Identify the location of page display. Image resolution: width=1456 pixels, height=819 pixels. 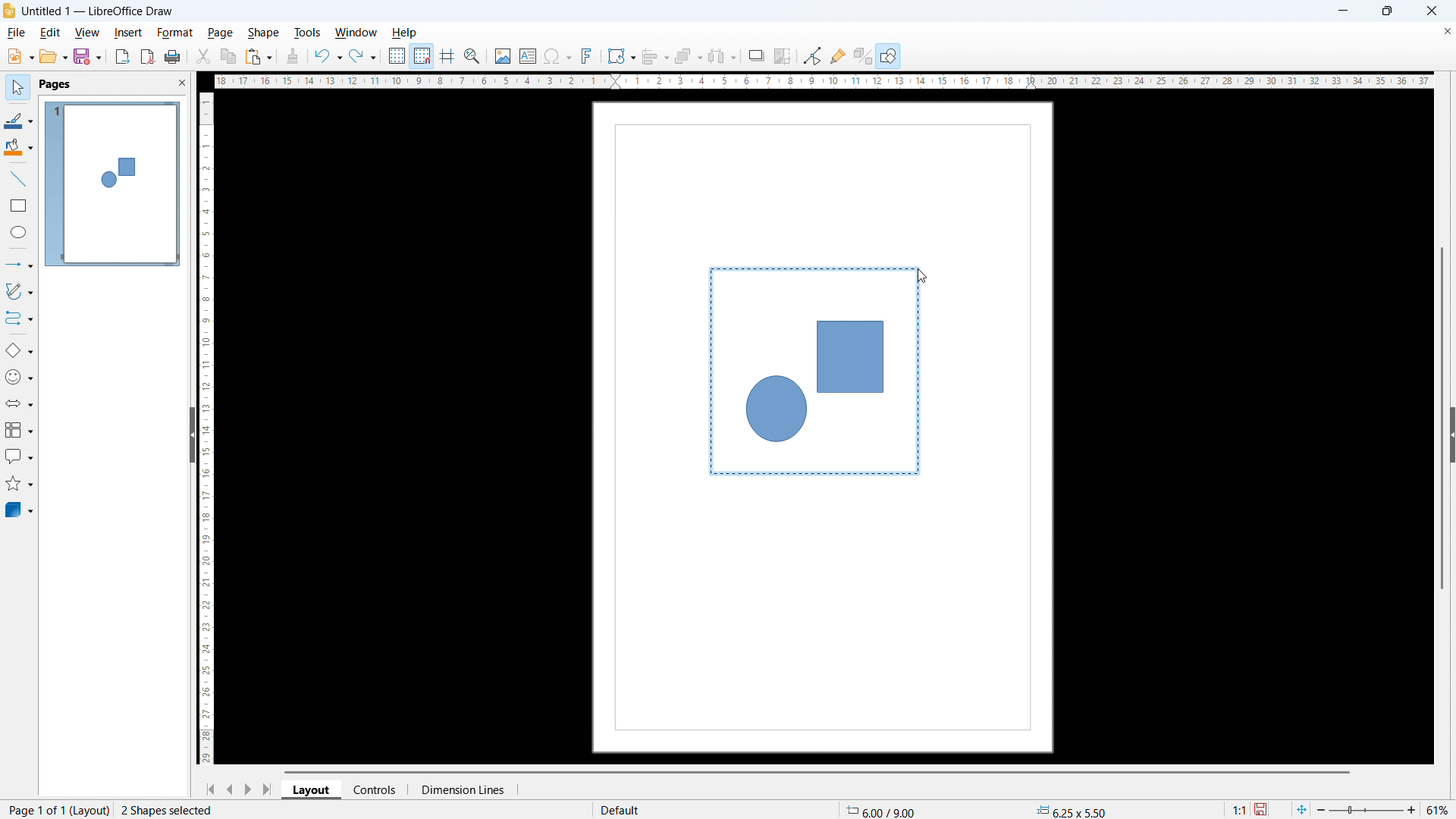
(115, 184).